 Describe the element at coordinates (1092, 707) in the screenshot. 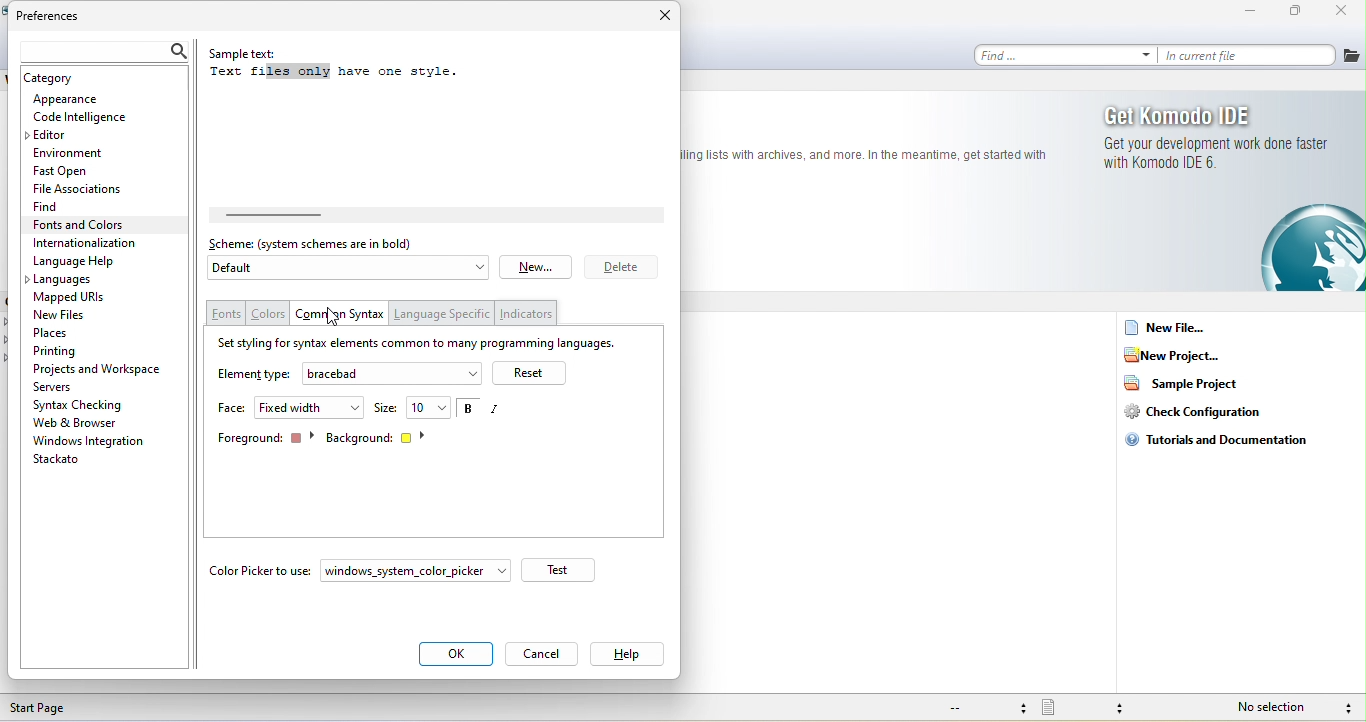

I see `file type` at that location.